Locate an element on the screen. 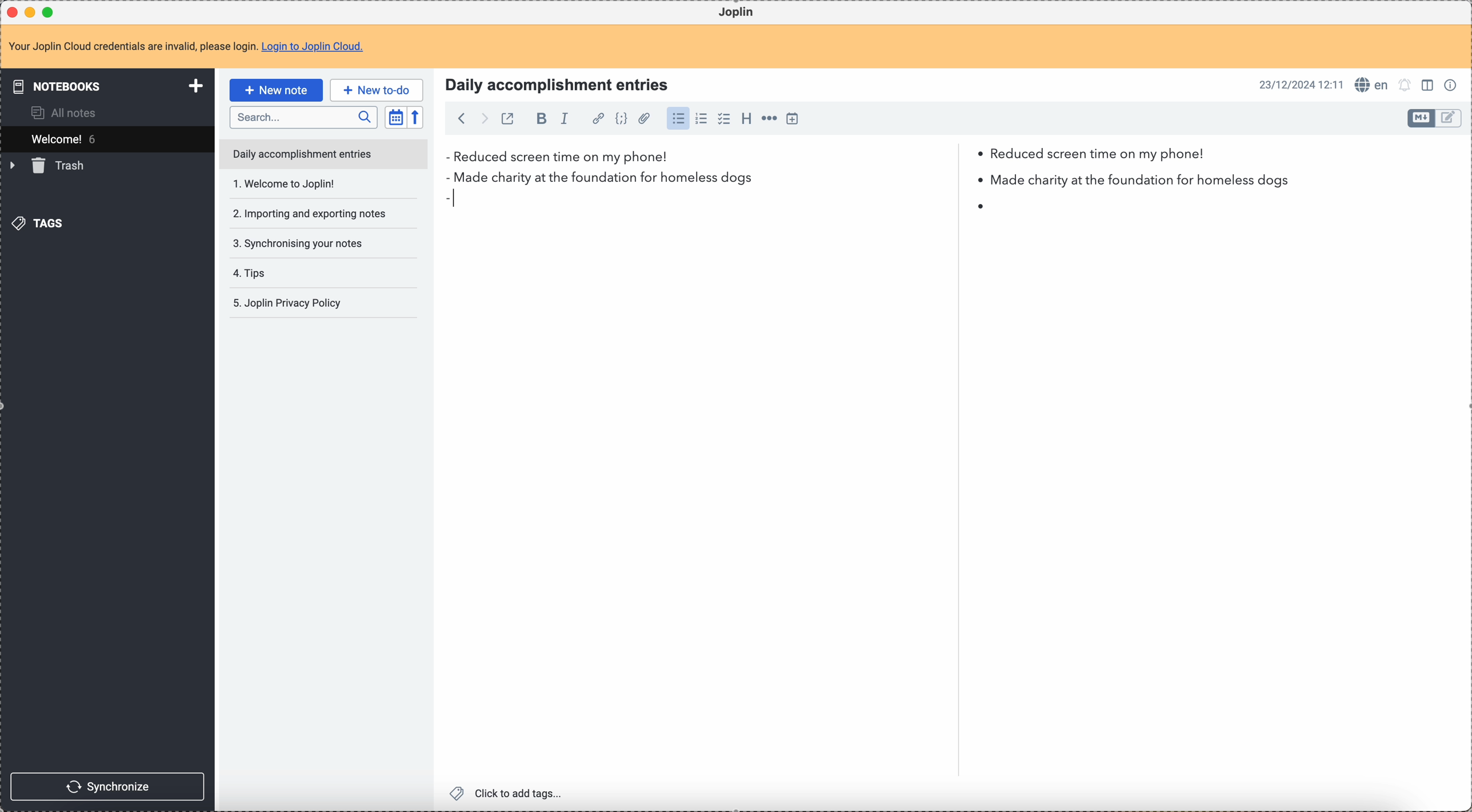  all notes is located at coordinates (59, 113).